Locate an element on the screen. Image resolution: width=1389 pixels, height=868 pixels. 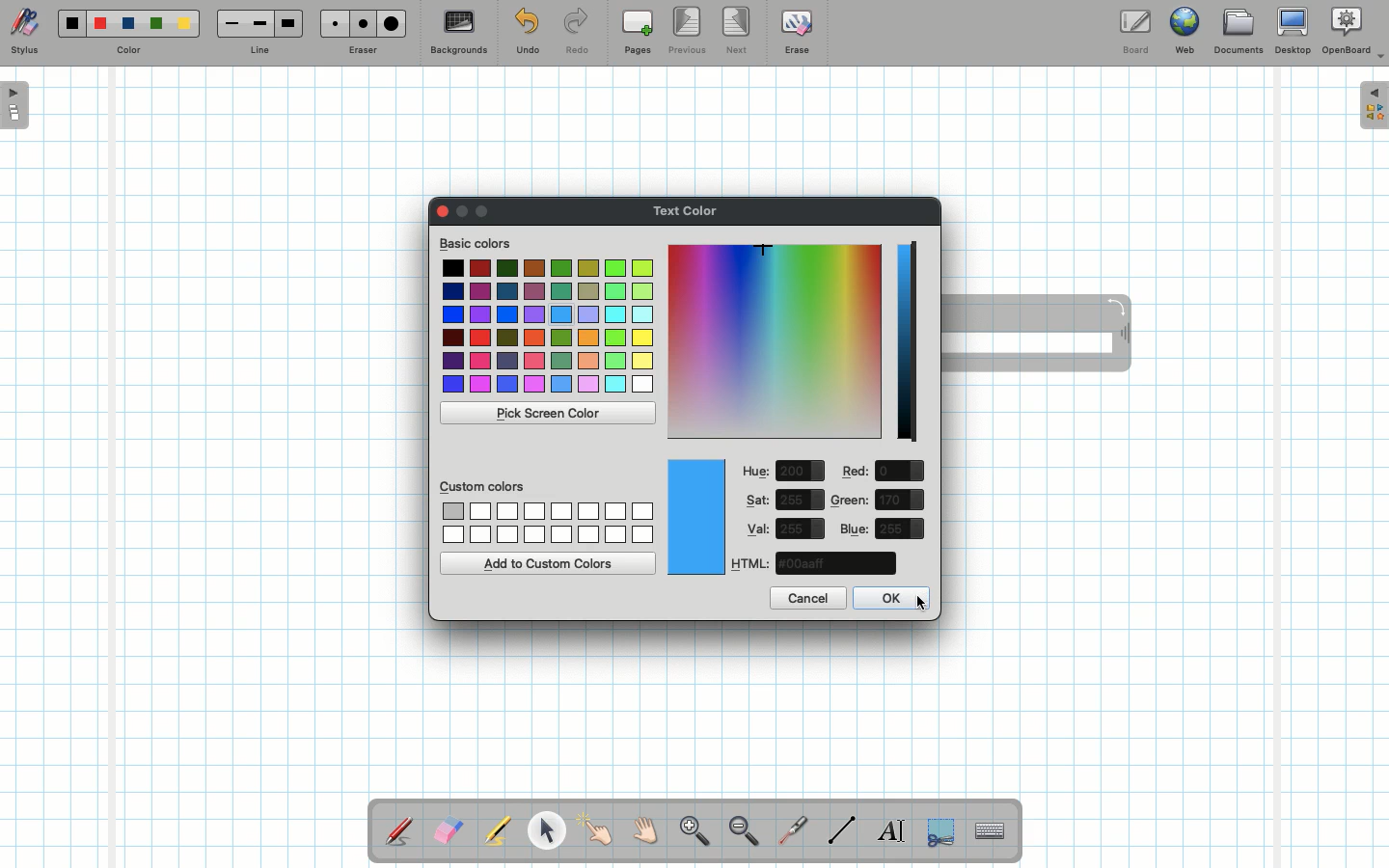
Board is located at coordinates (1134, 32).